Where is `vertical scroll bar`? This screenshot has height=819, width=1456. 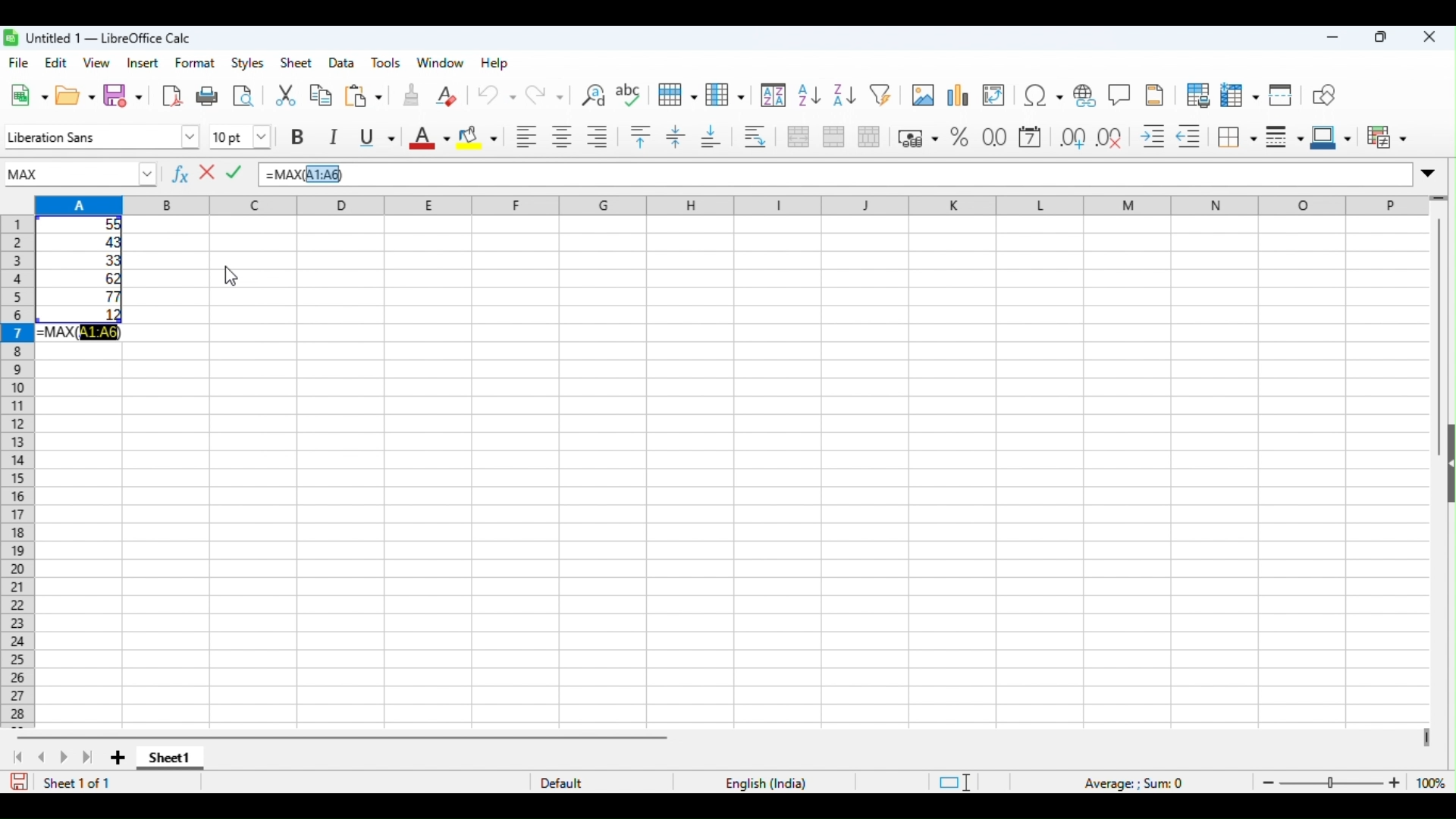 vertical scroll bar is located at coordinates (1438, 316).